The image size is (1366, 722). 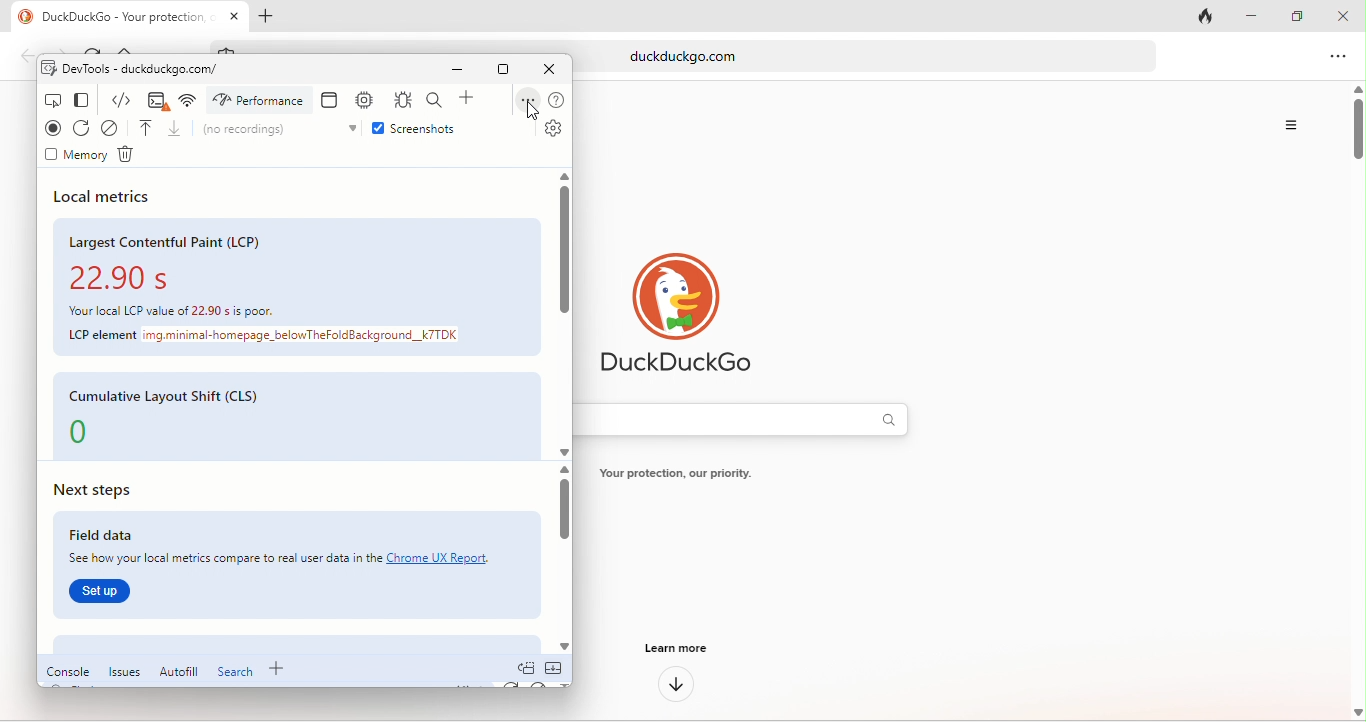 What do you see at coordinates (83, 99) in the screenshot?
I see `change view` at bounding box center [83, 99].